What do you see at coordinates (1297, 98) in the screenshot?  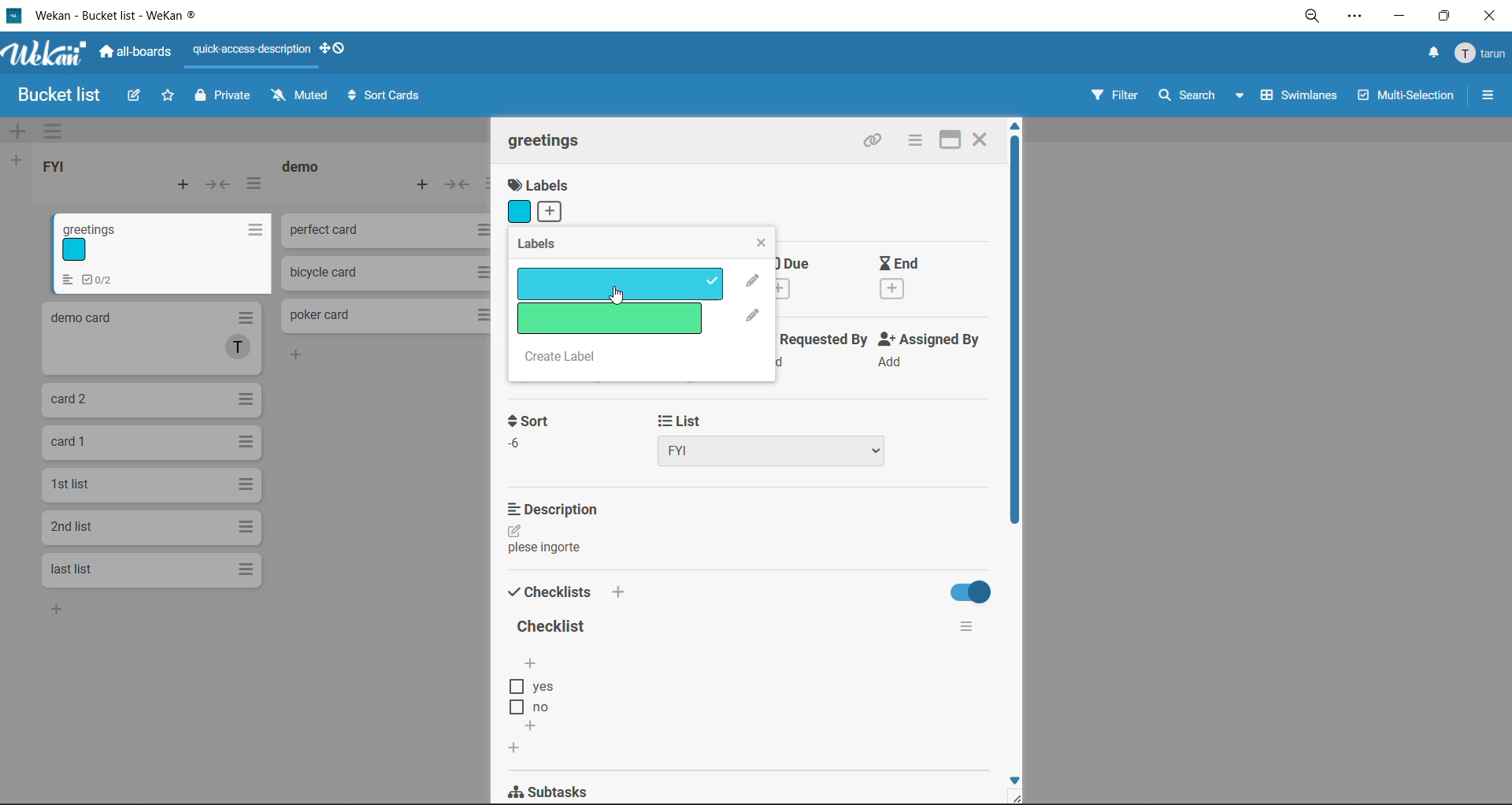 I see `swimlanes` at bounding box center [1297, 98].